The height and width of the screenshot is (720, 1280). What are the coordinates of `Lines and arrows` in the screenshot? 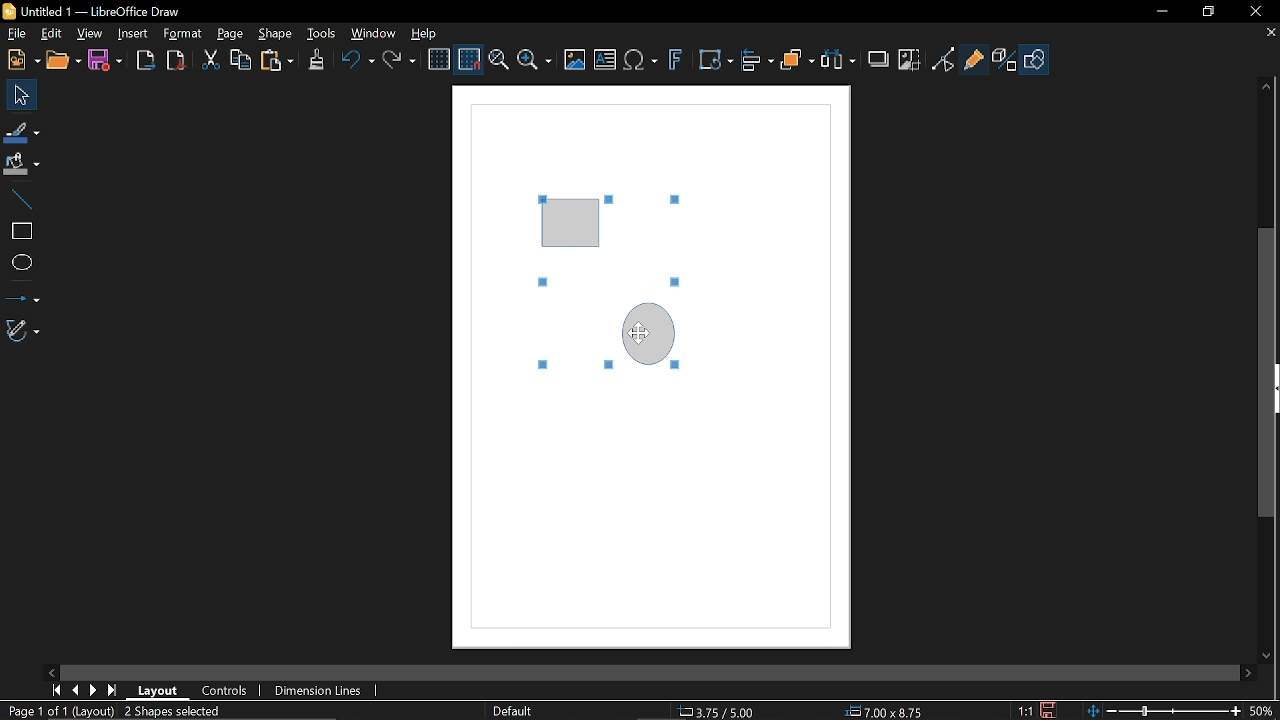 It's located at (21, 294).